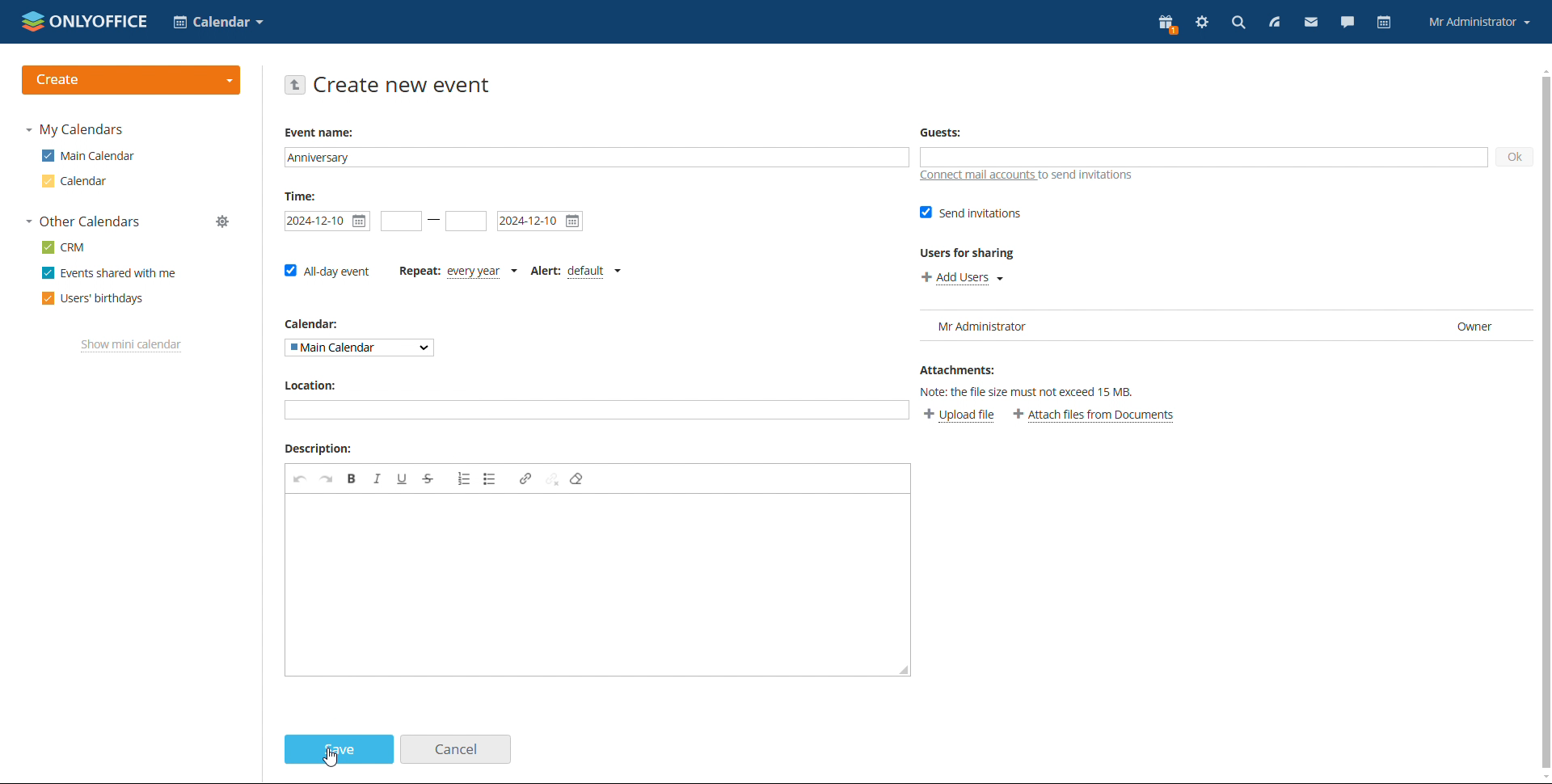 The height and width of the screenshot is (784, 1552). Describe the element at coordinates (361, 348) in the screenshot. I see `select calendar` at that location.